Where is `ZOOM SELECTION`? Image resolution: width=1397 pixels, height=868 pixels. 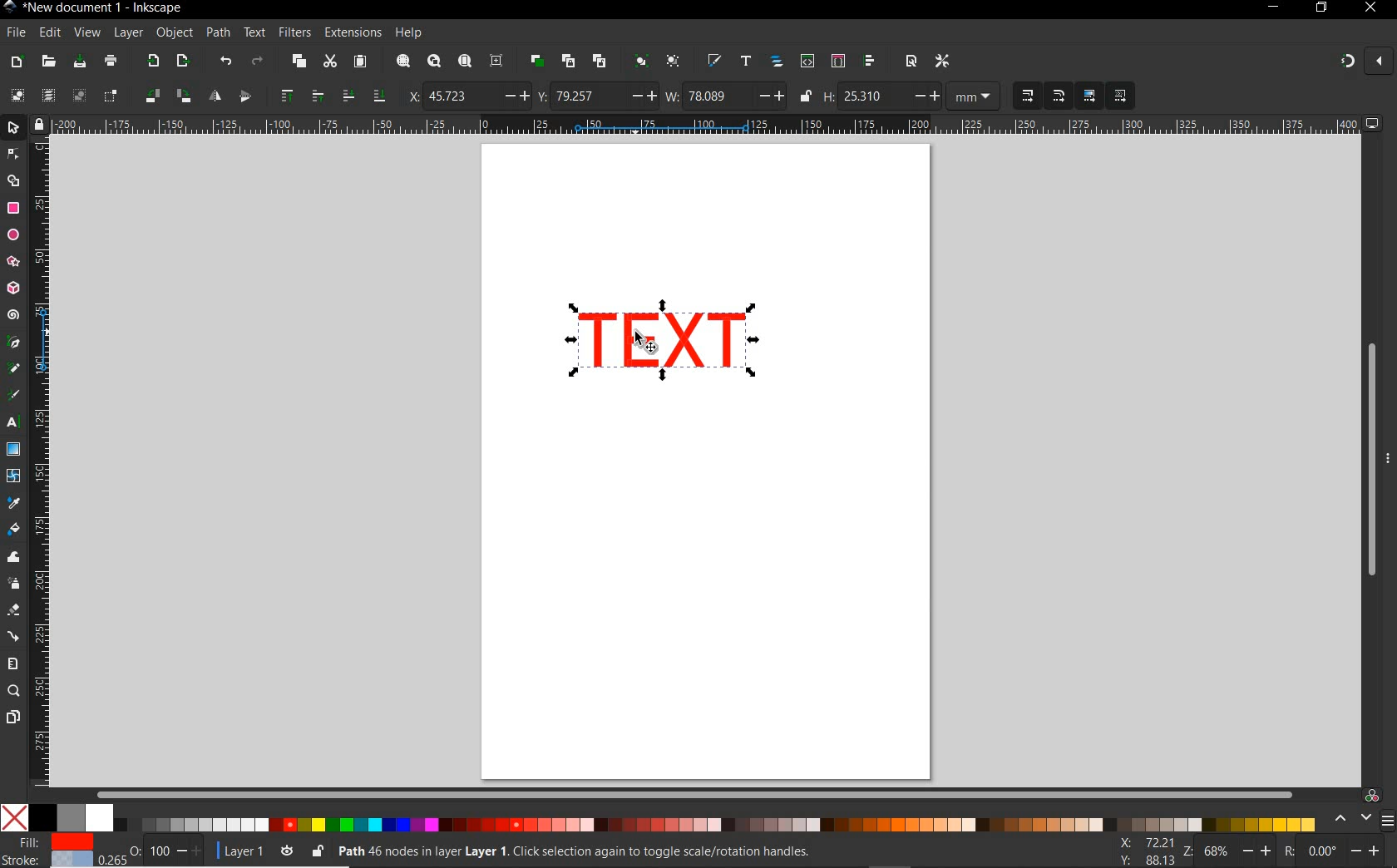 ZOOM SELECTION is located at coordinates (402, 62).